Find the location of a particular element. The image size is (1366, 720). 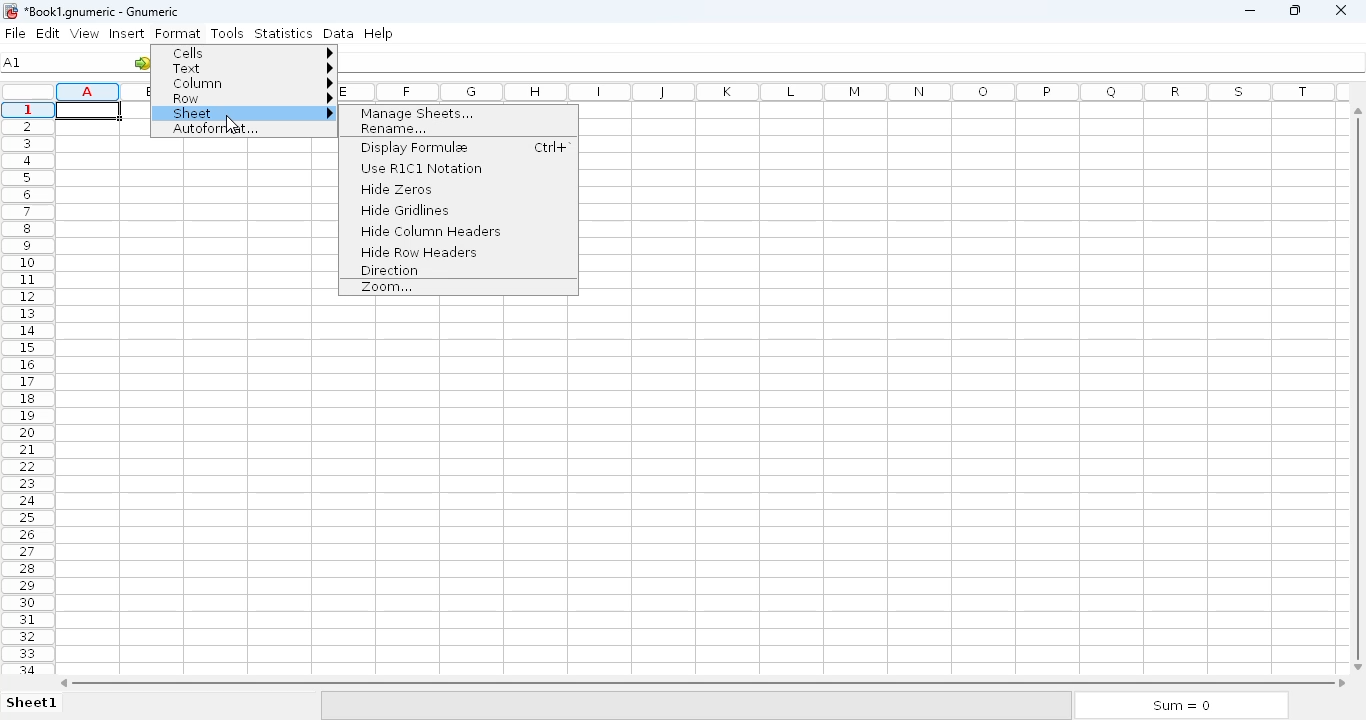

row is located at coordinates (248, 99).